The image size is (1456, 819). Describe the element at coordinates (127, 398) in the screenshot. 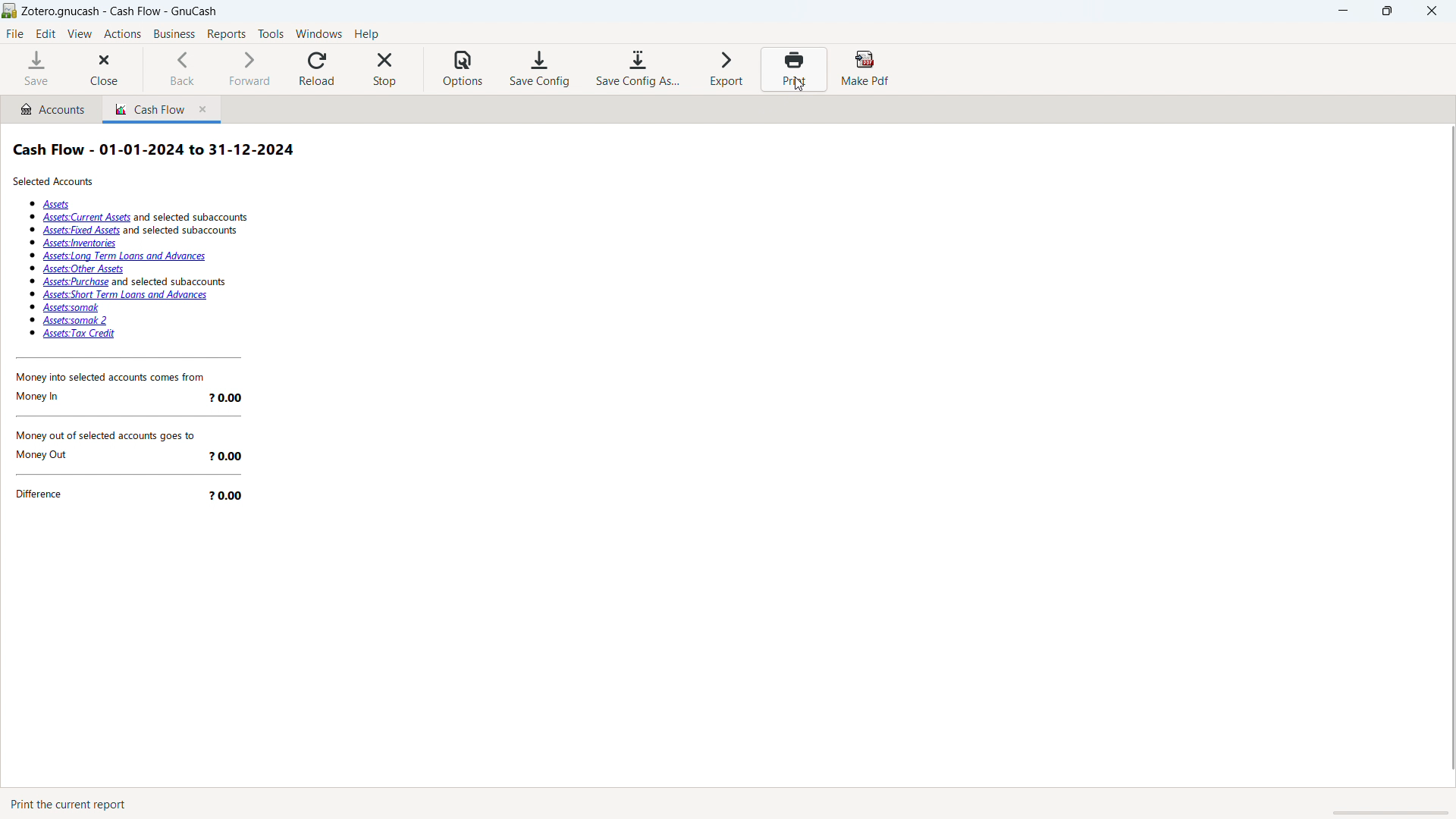

I see `Money In 20.00` at that location.